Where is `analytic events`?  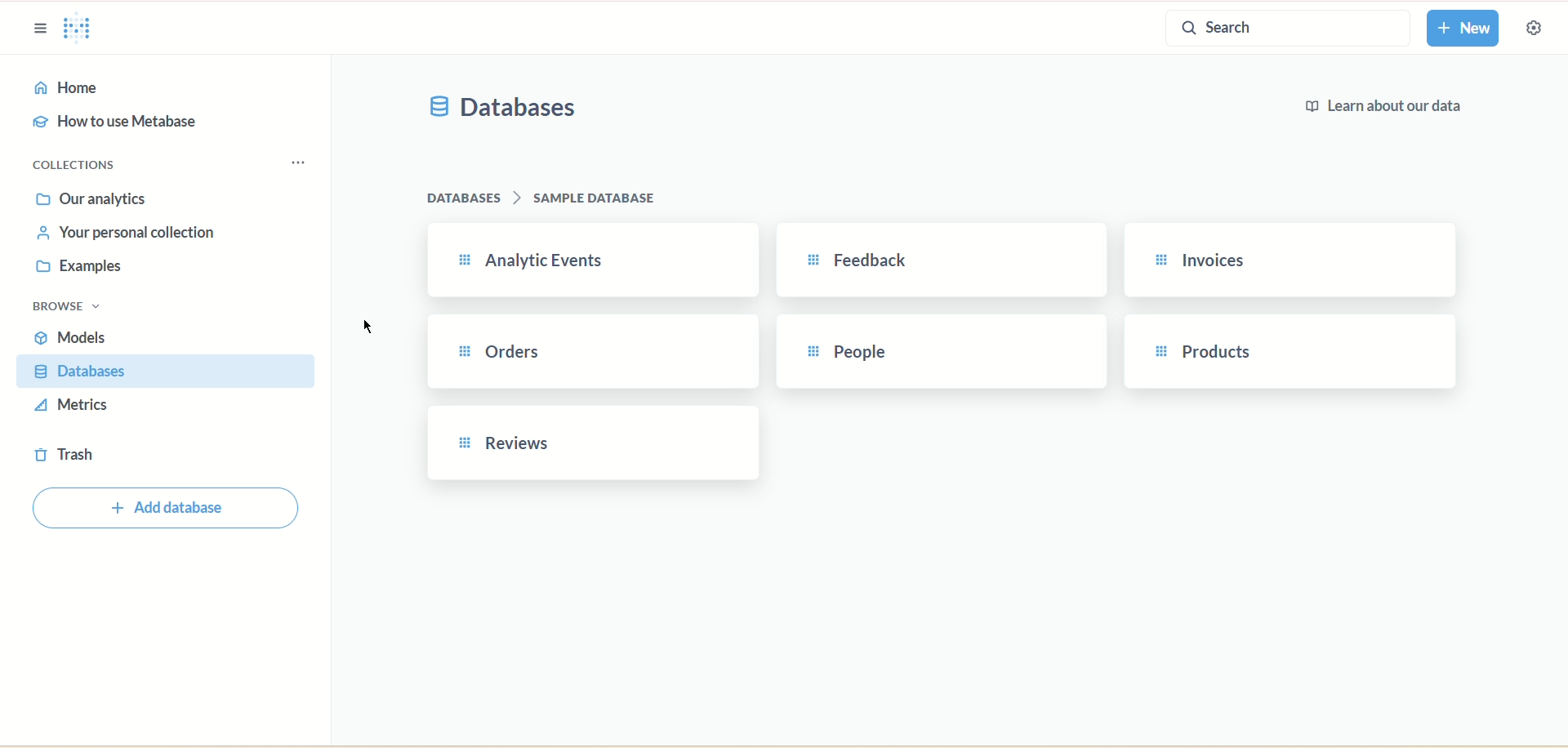 analytic events is located at coordinates (590, 260).